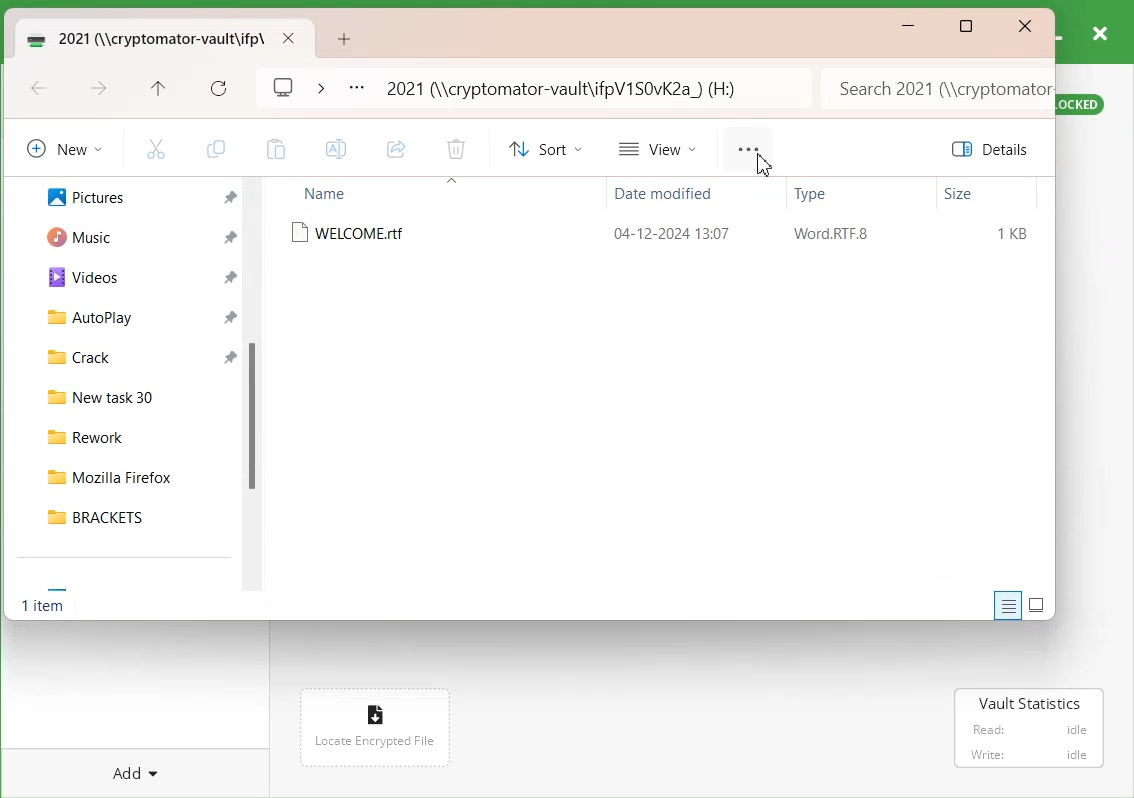 The height and width of the screenshot is (798, 1134). What do you see at coordinates (320, 86) in the screenshot?
I see `Drop down box` at bounding box center [320, 86].